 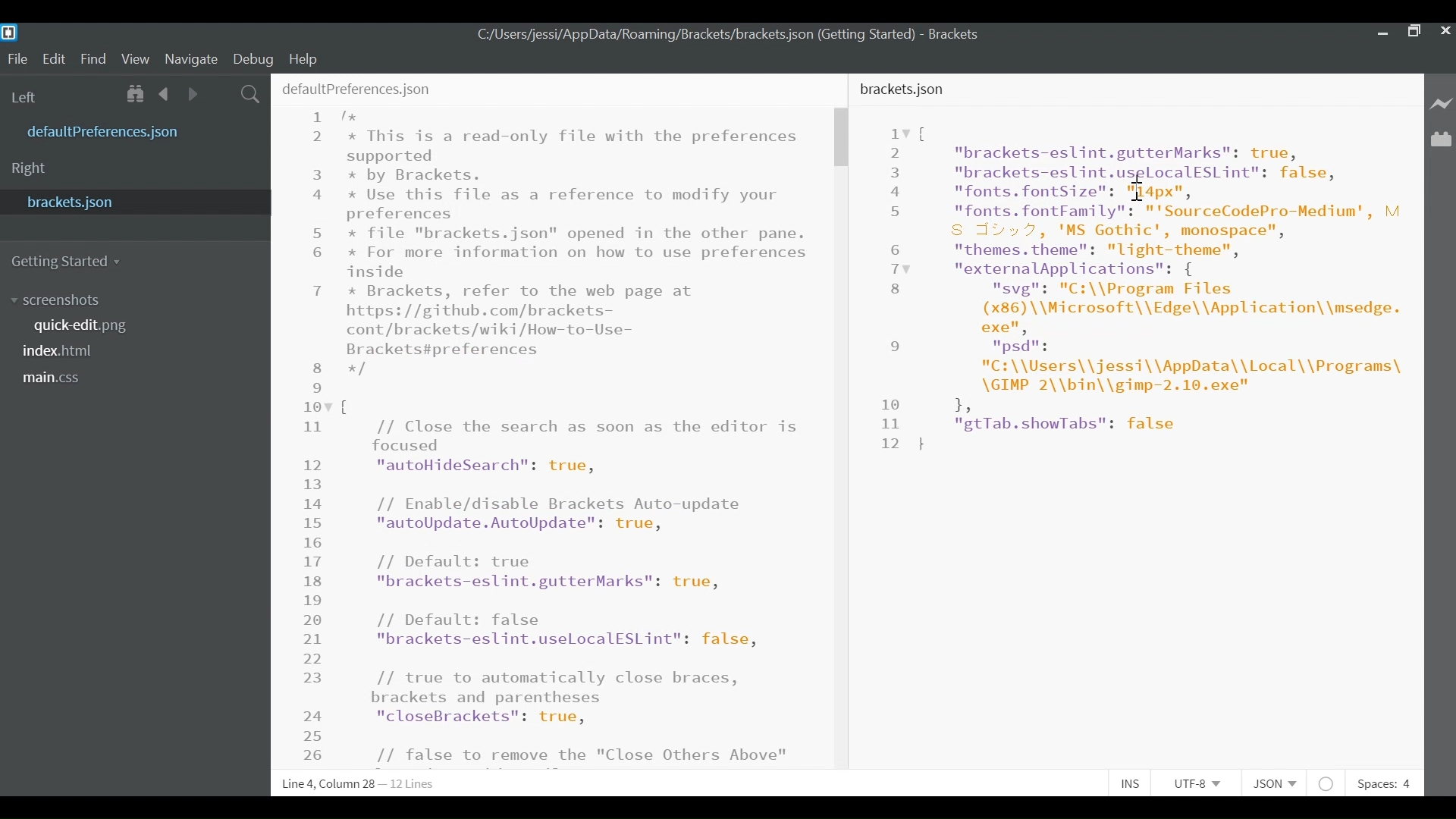 What do you see at coordinates (57, 379) in the screenshot?
I see `main.css` at bounding box center [57, 379].